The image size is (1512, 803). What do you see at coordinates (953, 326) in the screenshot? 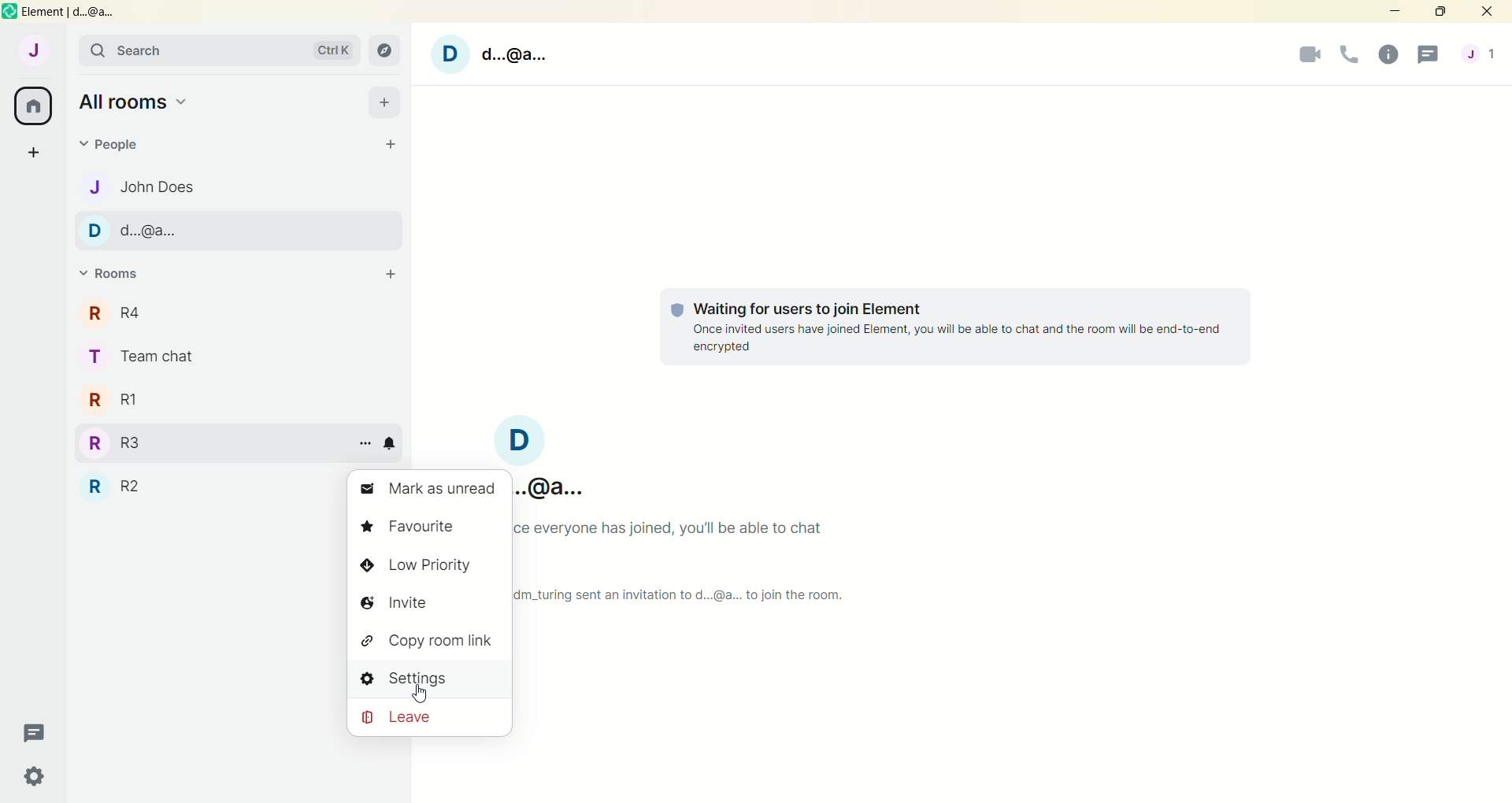
I see `Waiting for users to join element` at bounding box center [953, 326].